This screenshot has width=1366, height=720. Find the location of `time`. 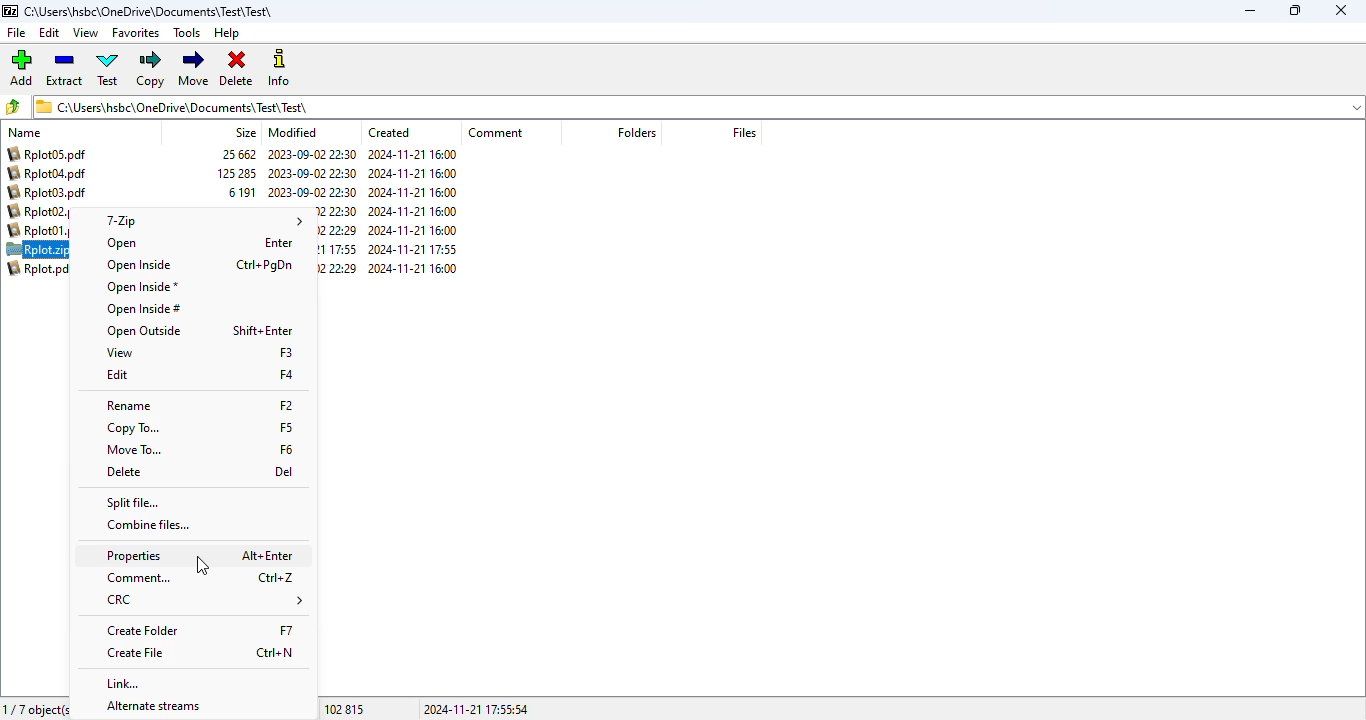

time is located at coordinates (336, 243).